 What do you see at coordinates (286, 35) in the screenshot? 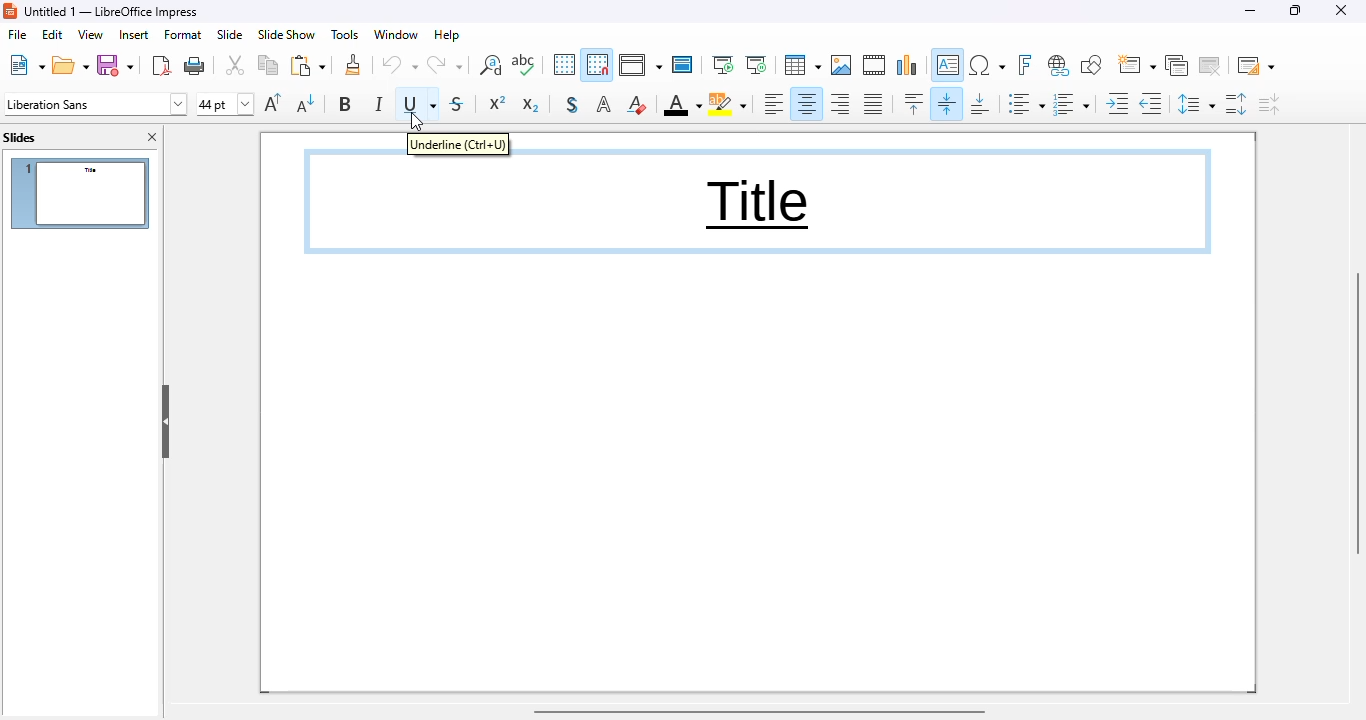
I see `slide show` at bounding box center [286, 35].